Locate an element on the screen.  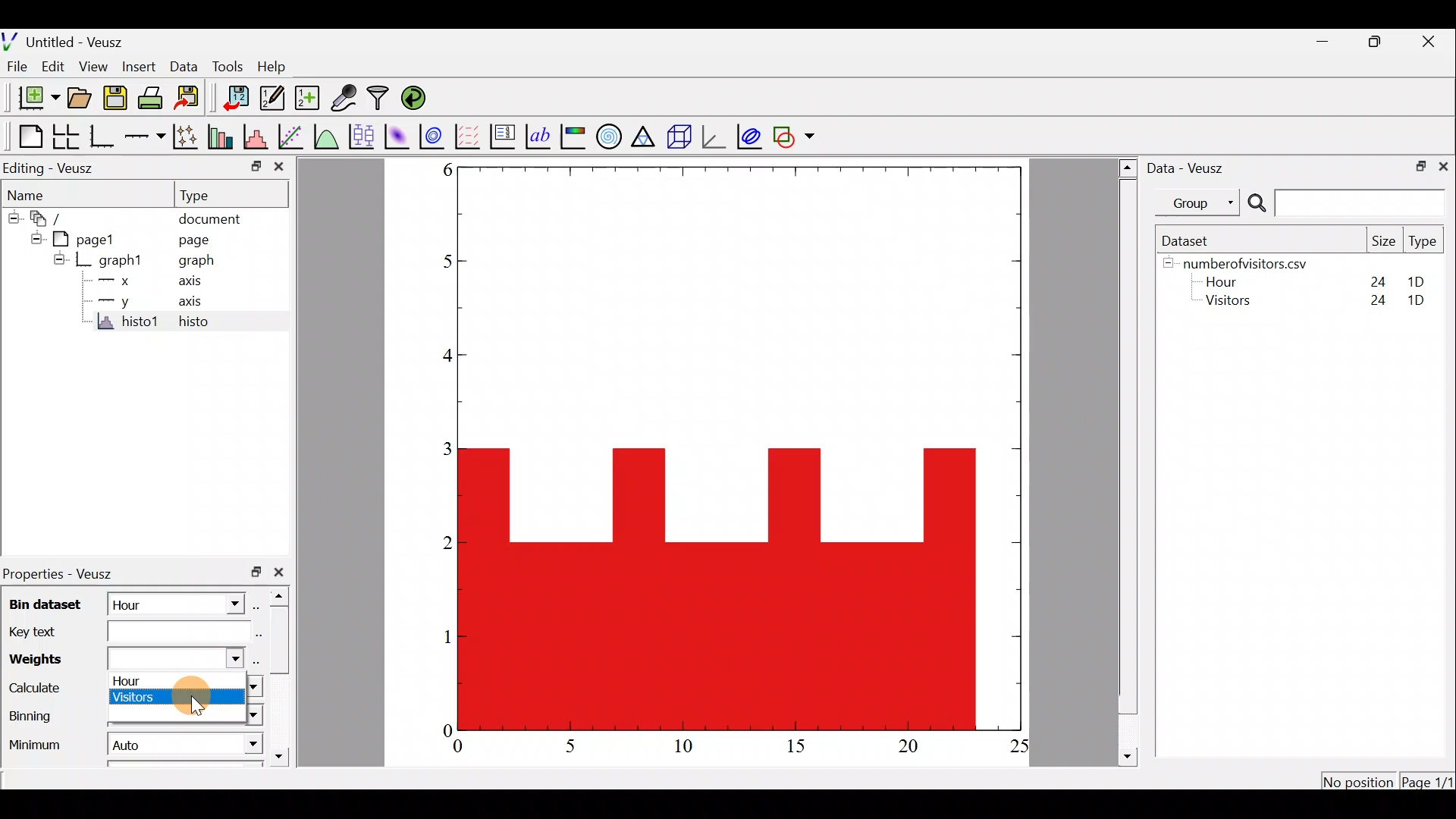
Base graph is located at coordinates (103, 137).